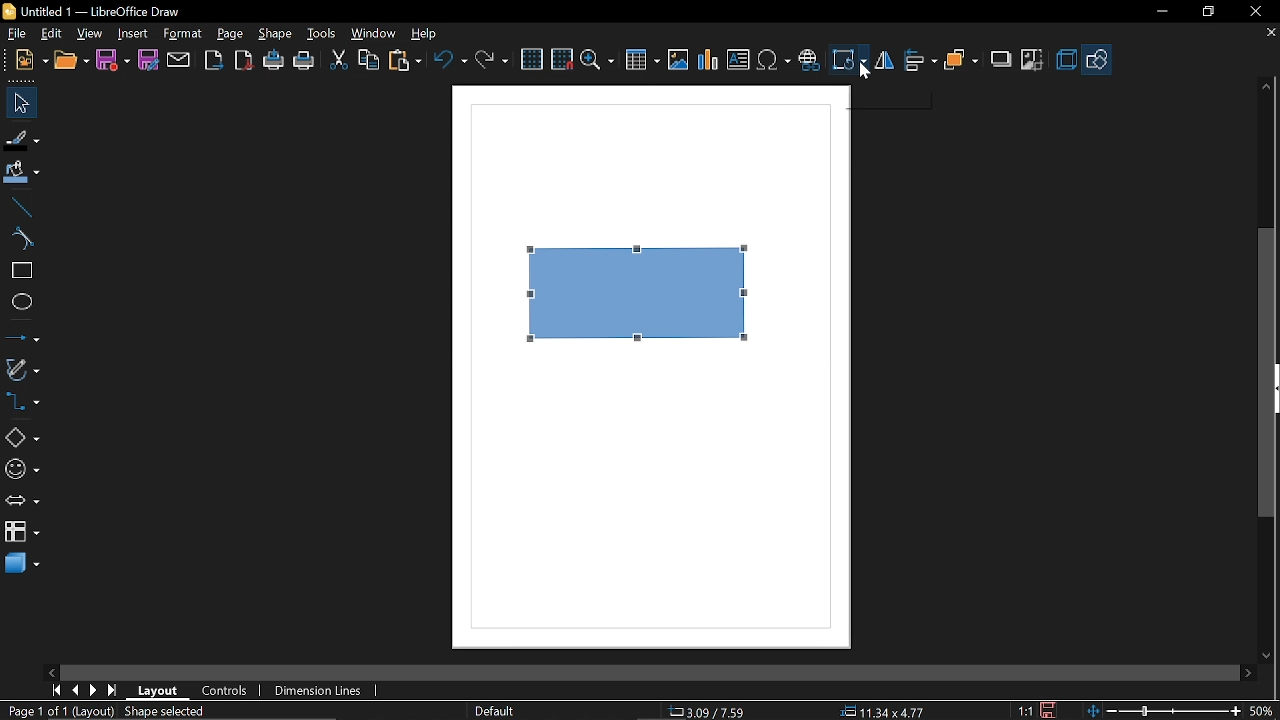 Image resolution: width=1280 pixels, height=720 pixels. Describe the element at coordinates (707, 60) in the screenshot. I see `Insert chart` at that location.